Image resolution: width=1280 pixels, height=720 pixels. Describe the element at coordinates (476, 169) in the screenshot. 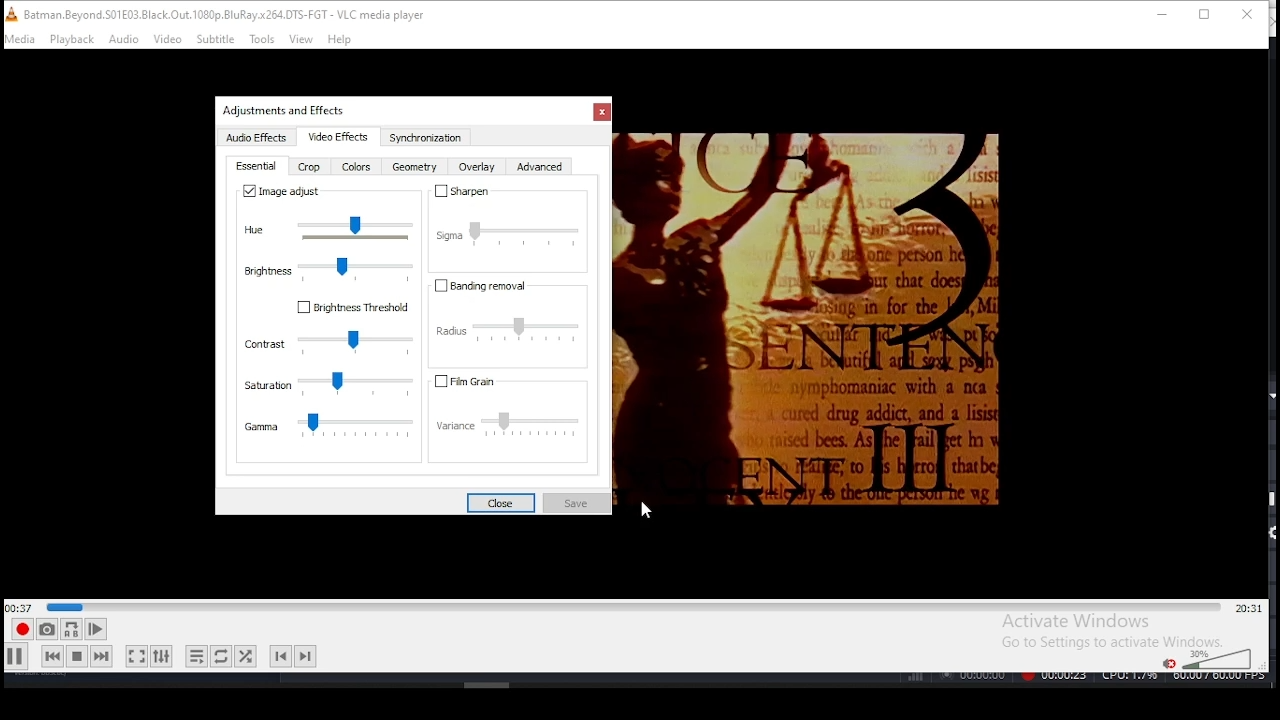

I see `overlay` at that location.